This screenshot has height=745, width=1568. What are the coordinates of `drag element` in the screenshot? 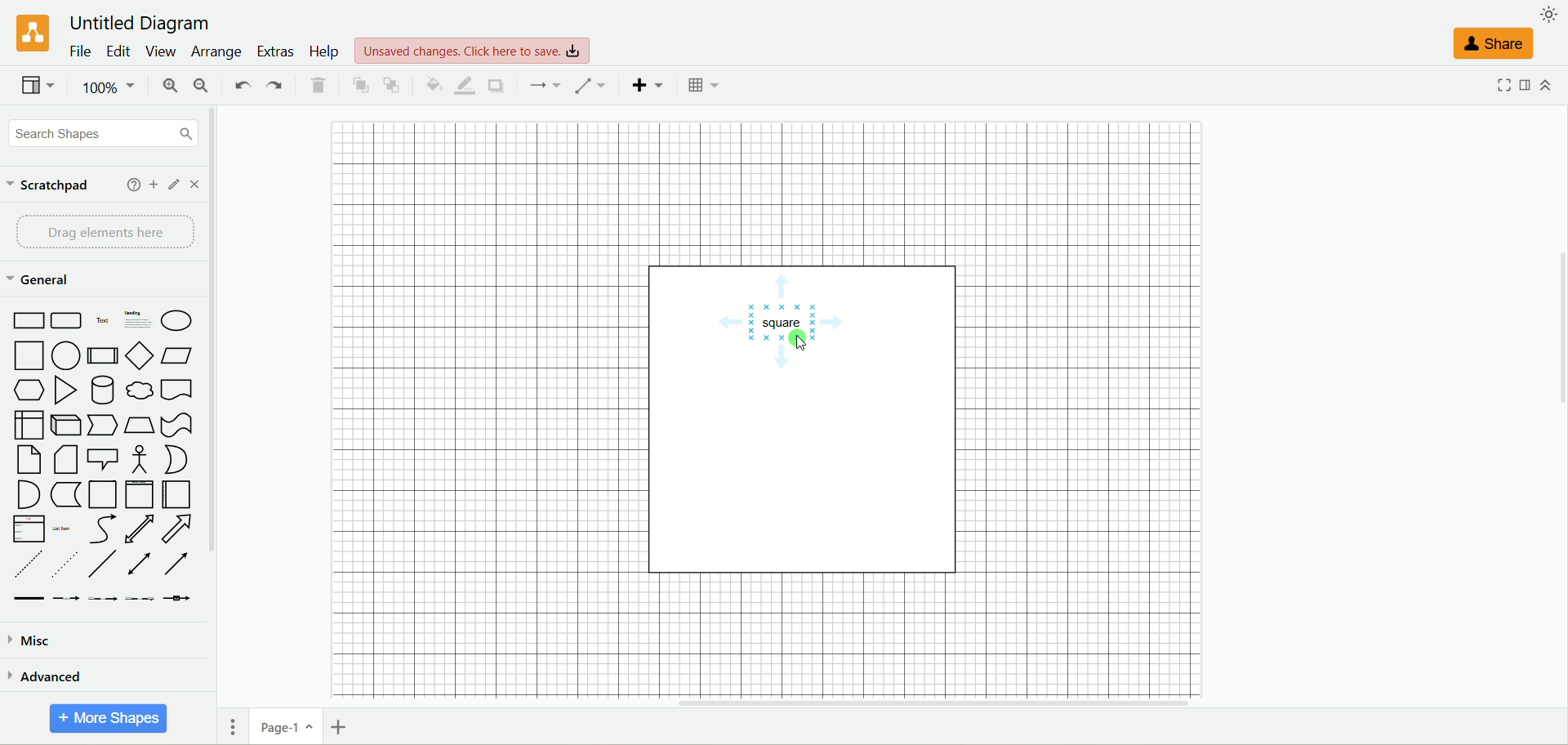 It's located at (105, 233).